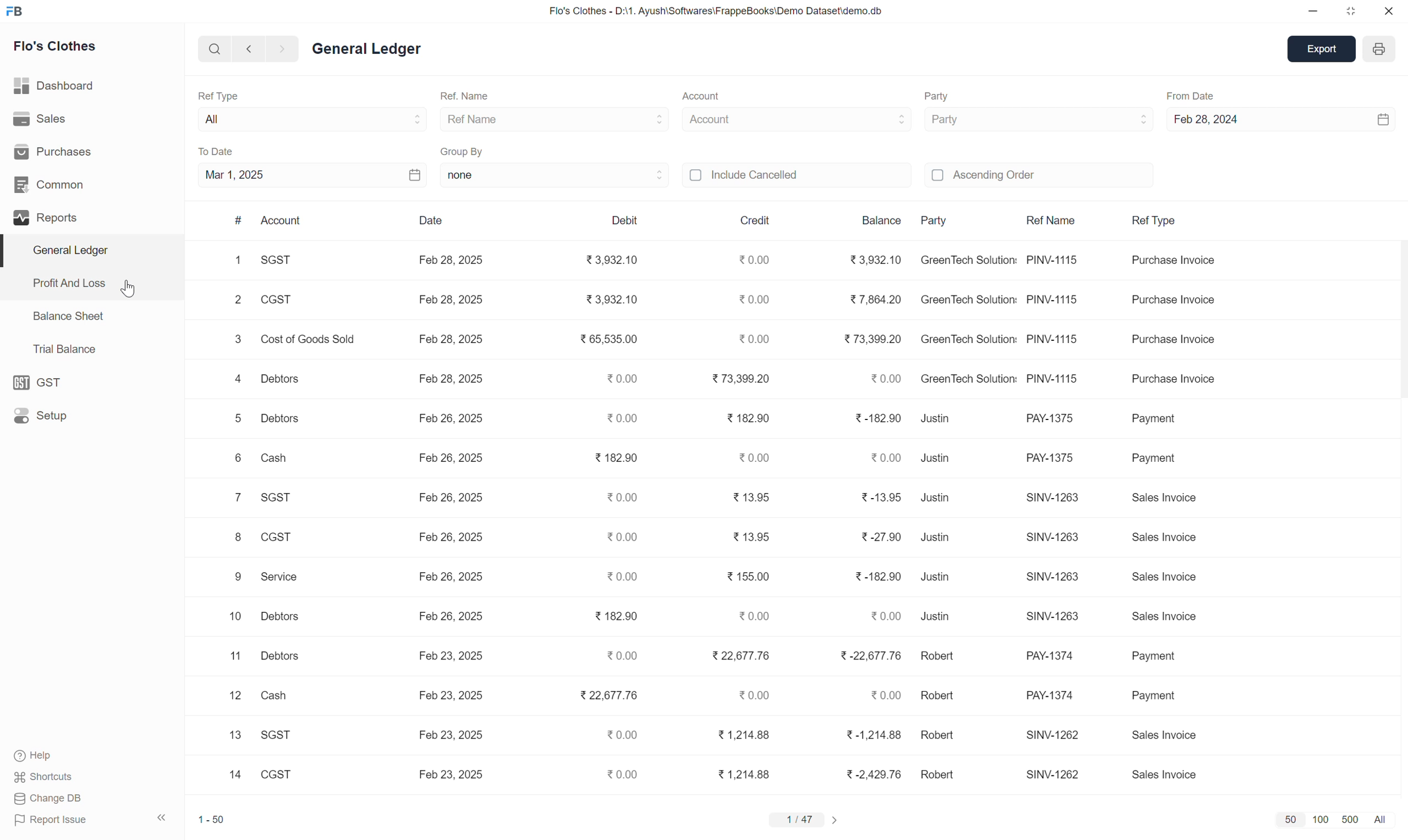 This screenshot has height=840, width=1408. Describe the element at coordinates (1166, 224) in the screenshot. I see `Ref Type` at that location.